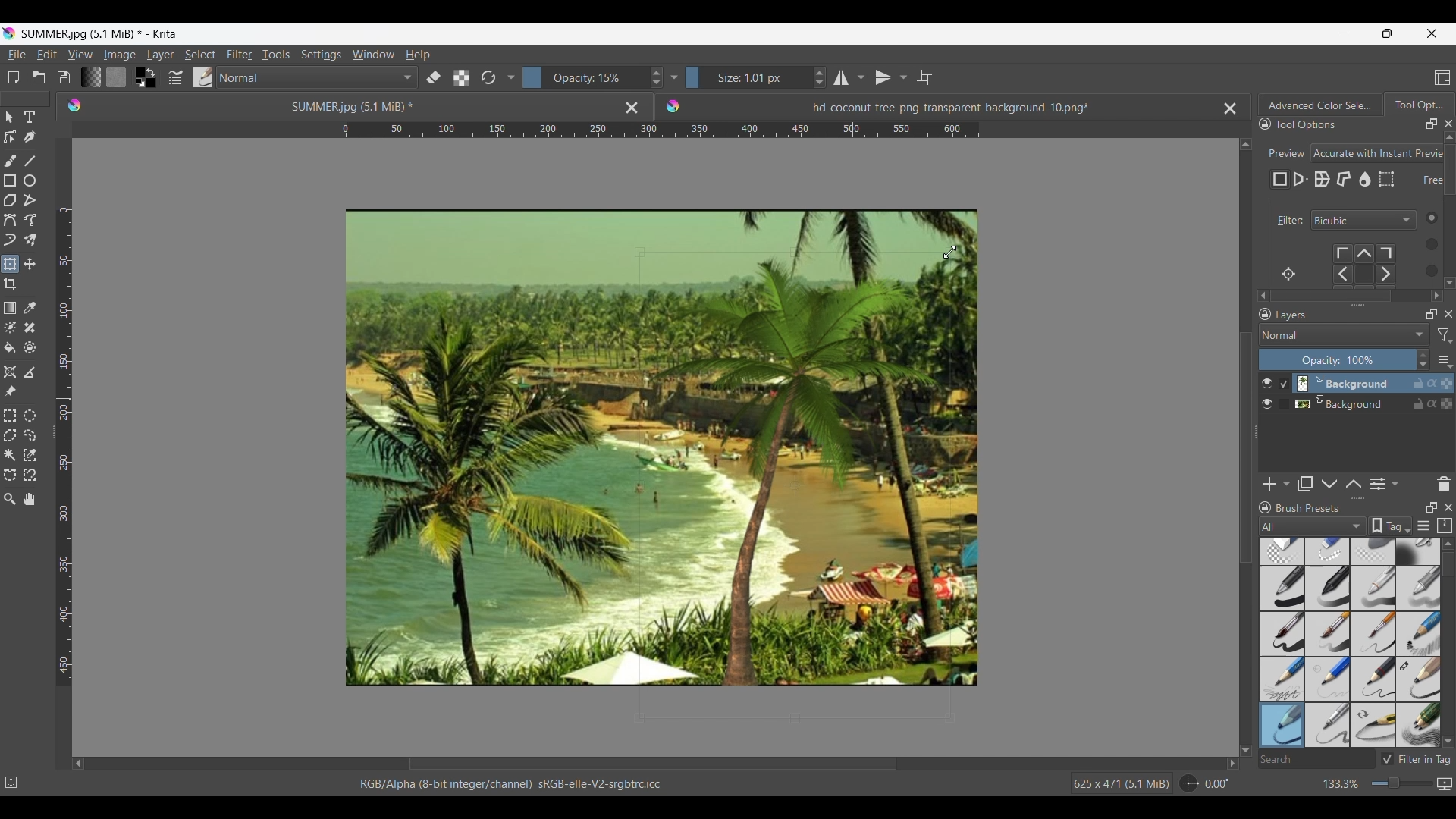  Describe the element at coordinates (10, 347) in the screenshot. I see `Fill` at that location.